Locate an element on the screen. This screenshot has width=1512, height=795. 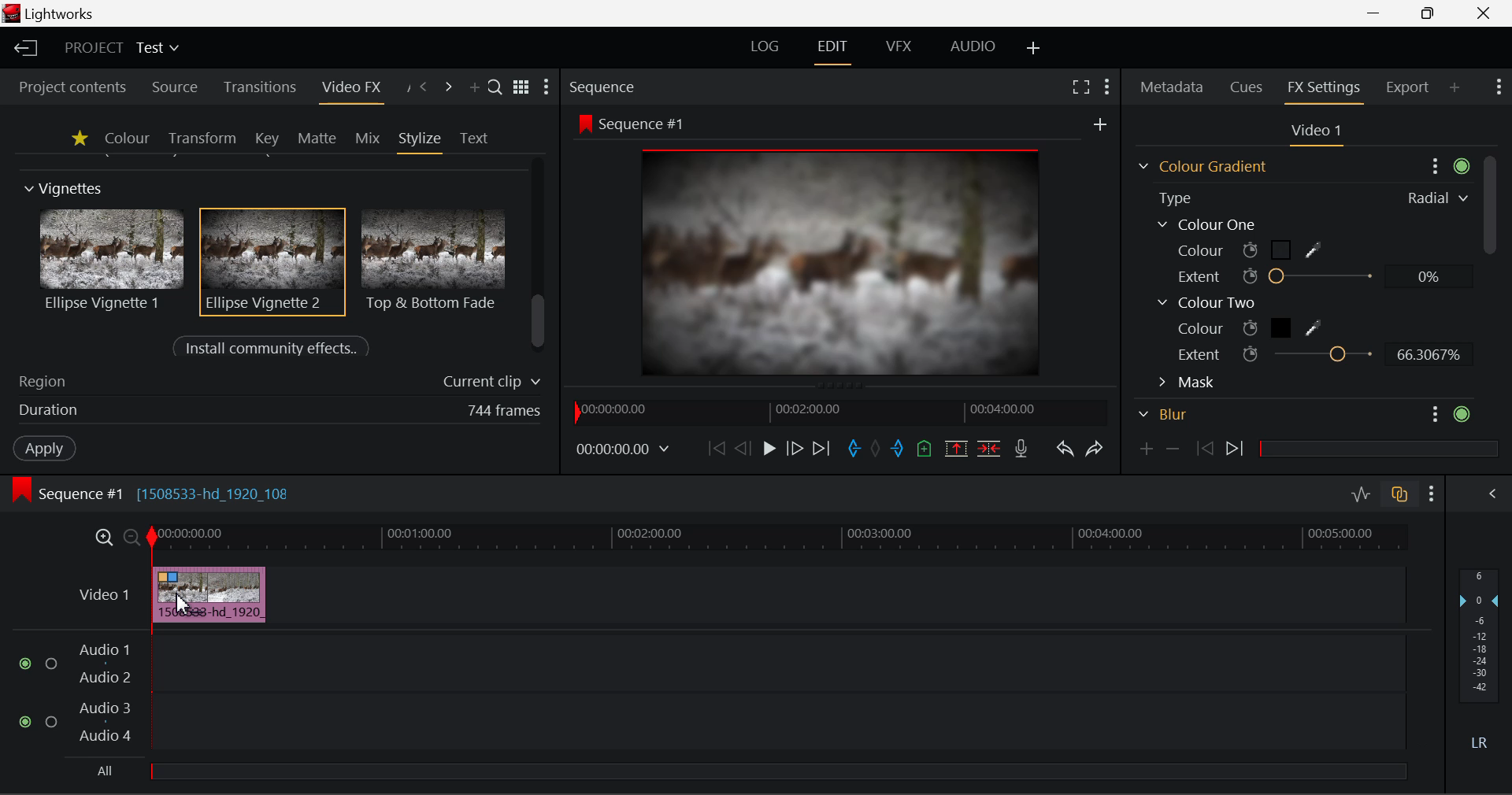
Restore Down is located at coordinates (1378, 13).